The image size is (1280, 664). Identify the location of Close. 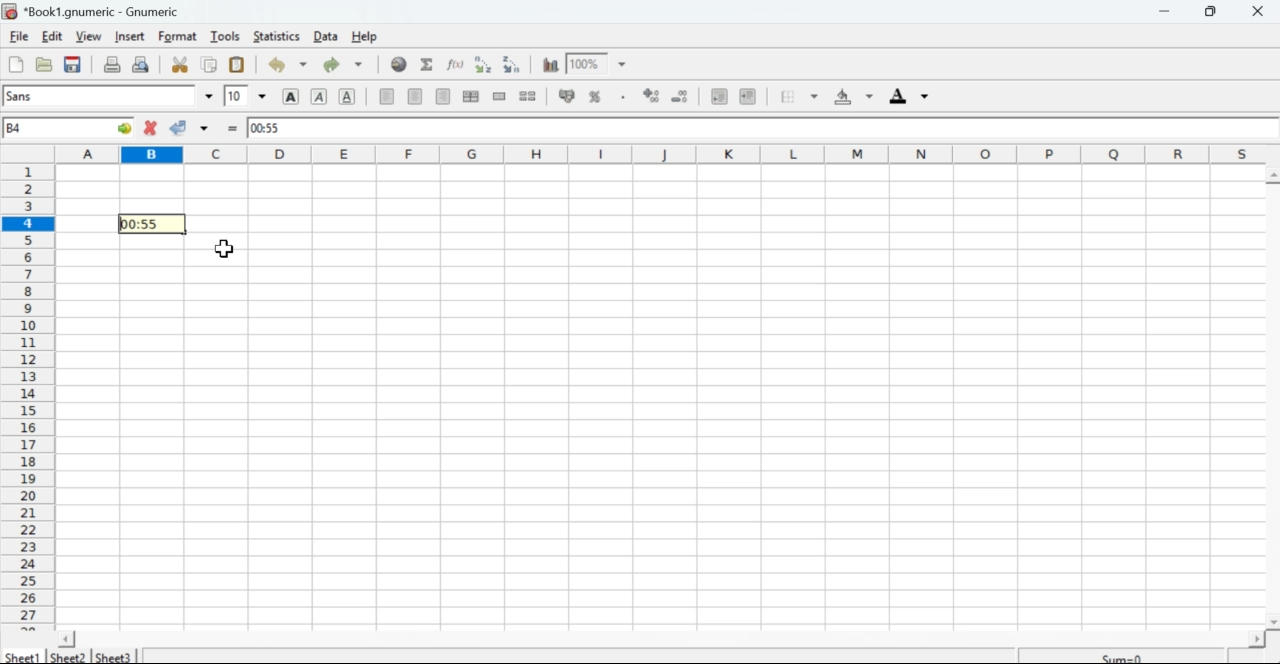
(1261, 12).